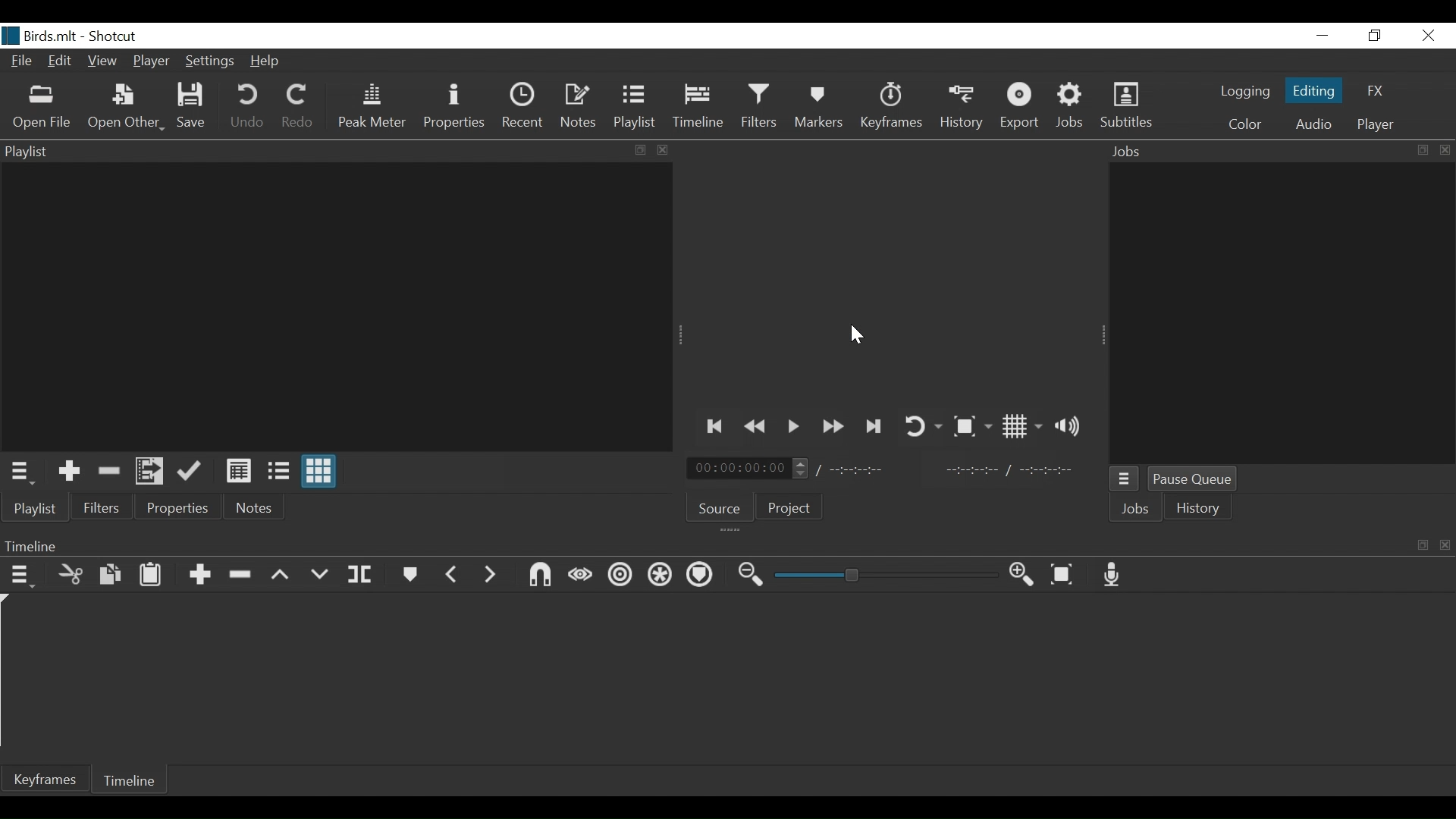 The height and width of the screenshot is (819, 1456). What do you see at coordinates (702, 576) in the screenshot?
I see `Ripple Markers` at bounding box center [702, 576].